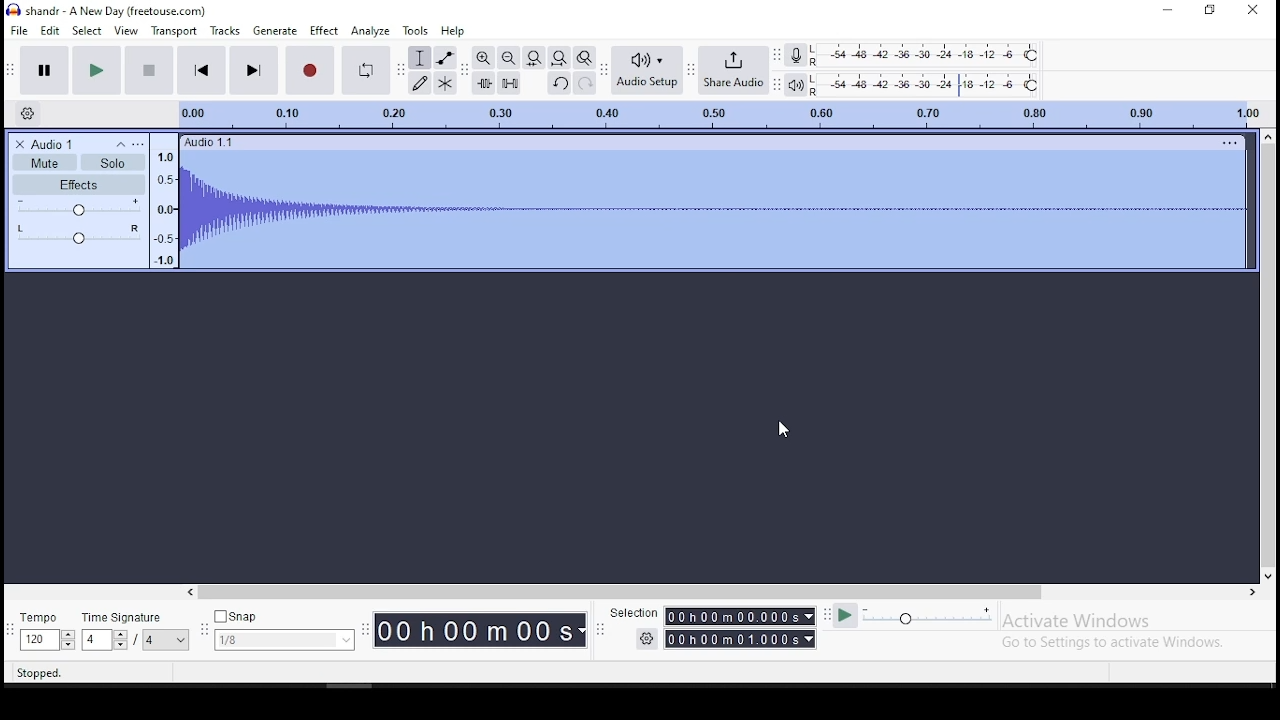  Describe the element at coordinates (150, 69) in the screenshot. I see `stop` at that location.